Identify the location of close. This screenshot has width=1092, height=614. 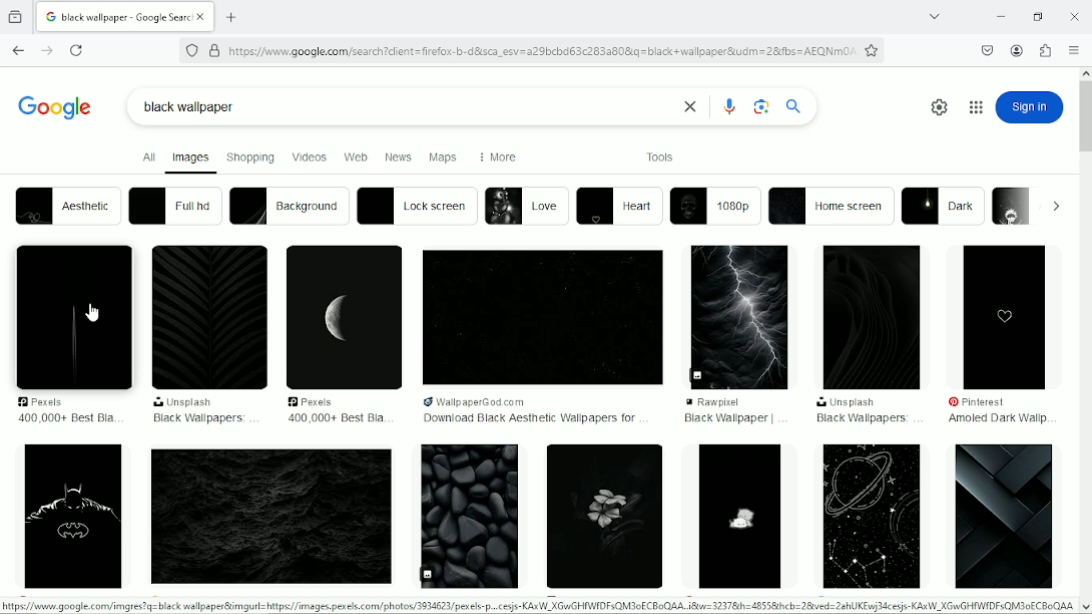
(204, 18).